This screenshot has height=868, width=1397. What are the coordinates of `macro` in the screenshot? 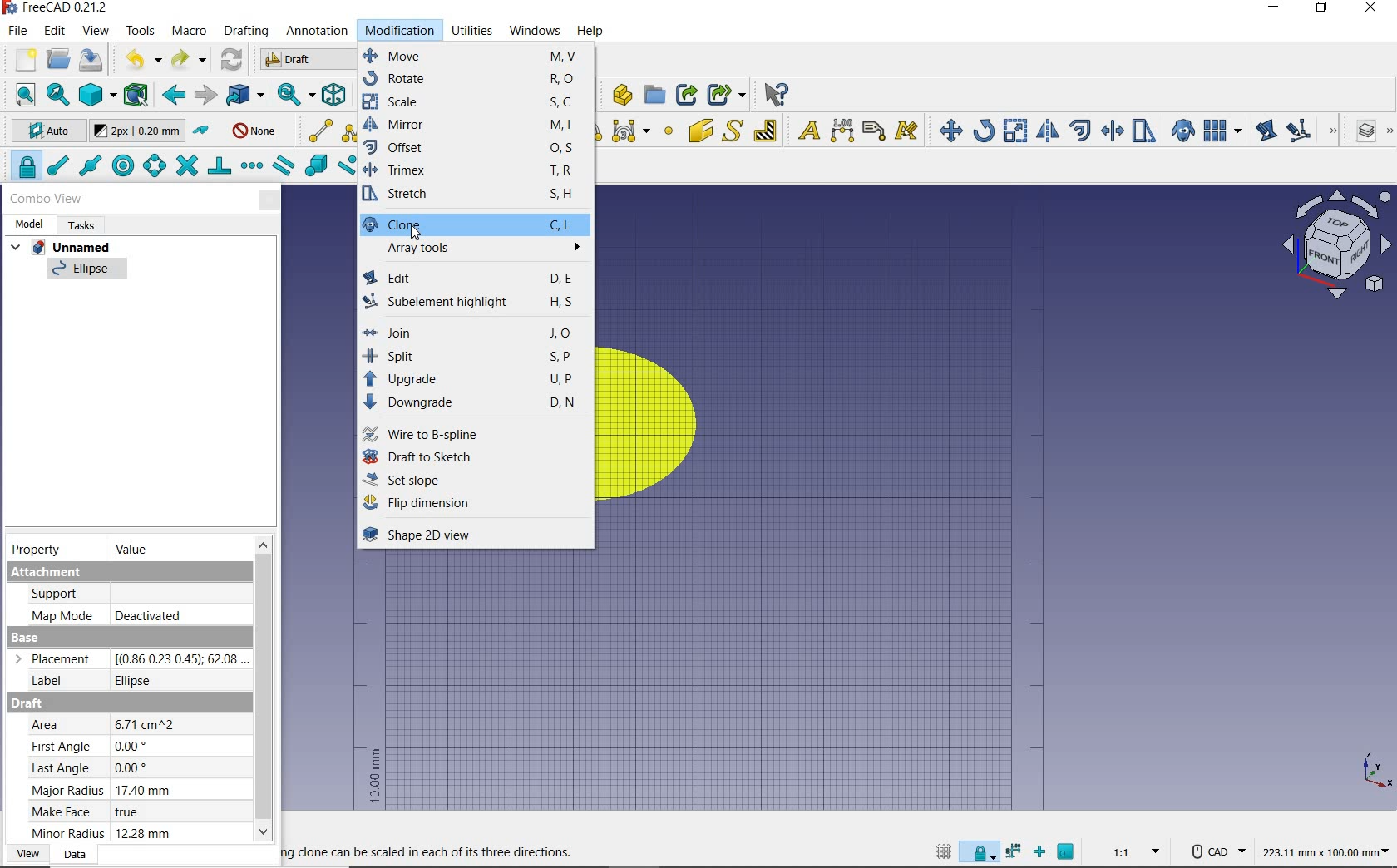 It's located at (189, 33).